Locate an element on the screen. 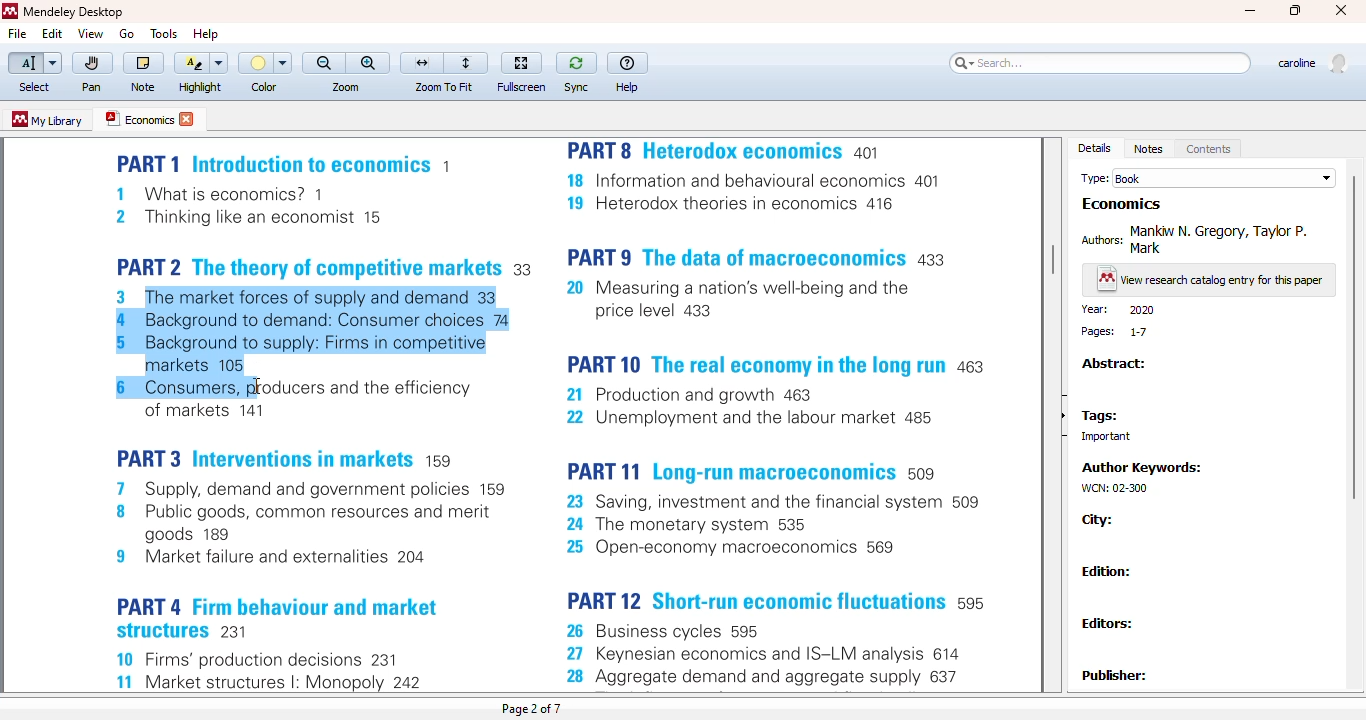 Image resolution: width=1366 pixels, height=720 pixels. file is located at coordinates (16, 34).